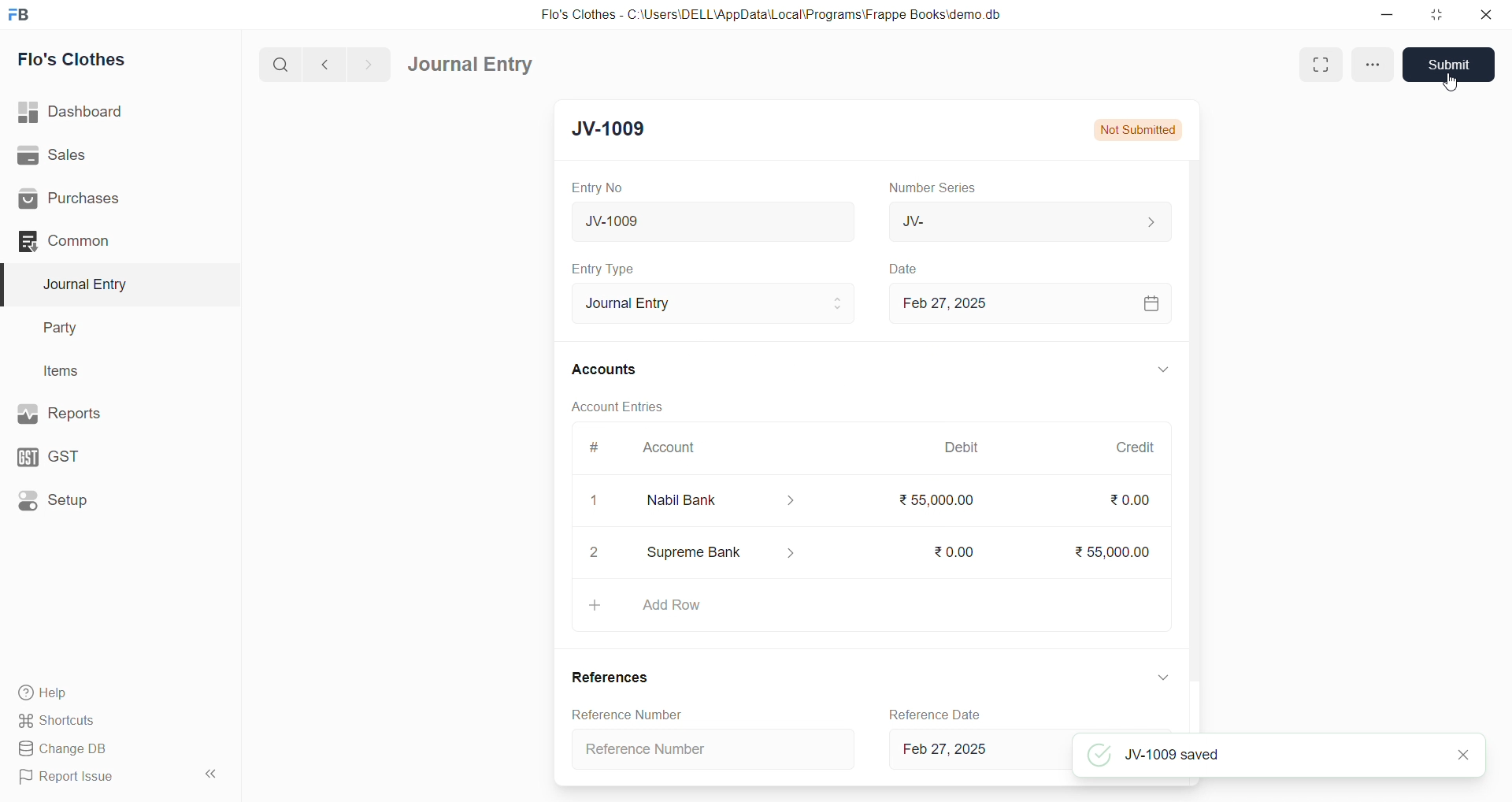 The height and width of the screenshot is (802, 1512). What do you see at coordinates (90, 284) in the screenshot?
I see `Journal Entry` at bounding box center [90, 284].